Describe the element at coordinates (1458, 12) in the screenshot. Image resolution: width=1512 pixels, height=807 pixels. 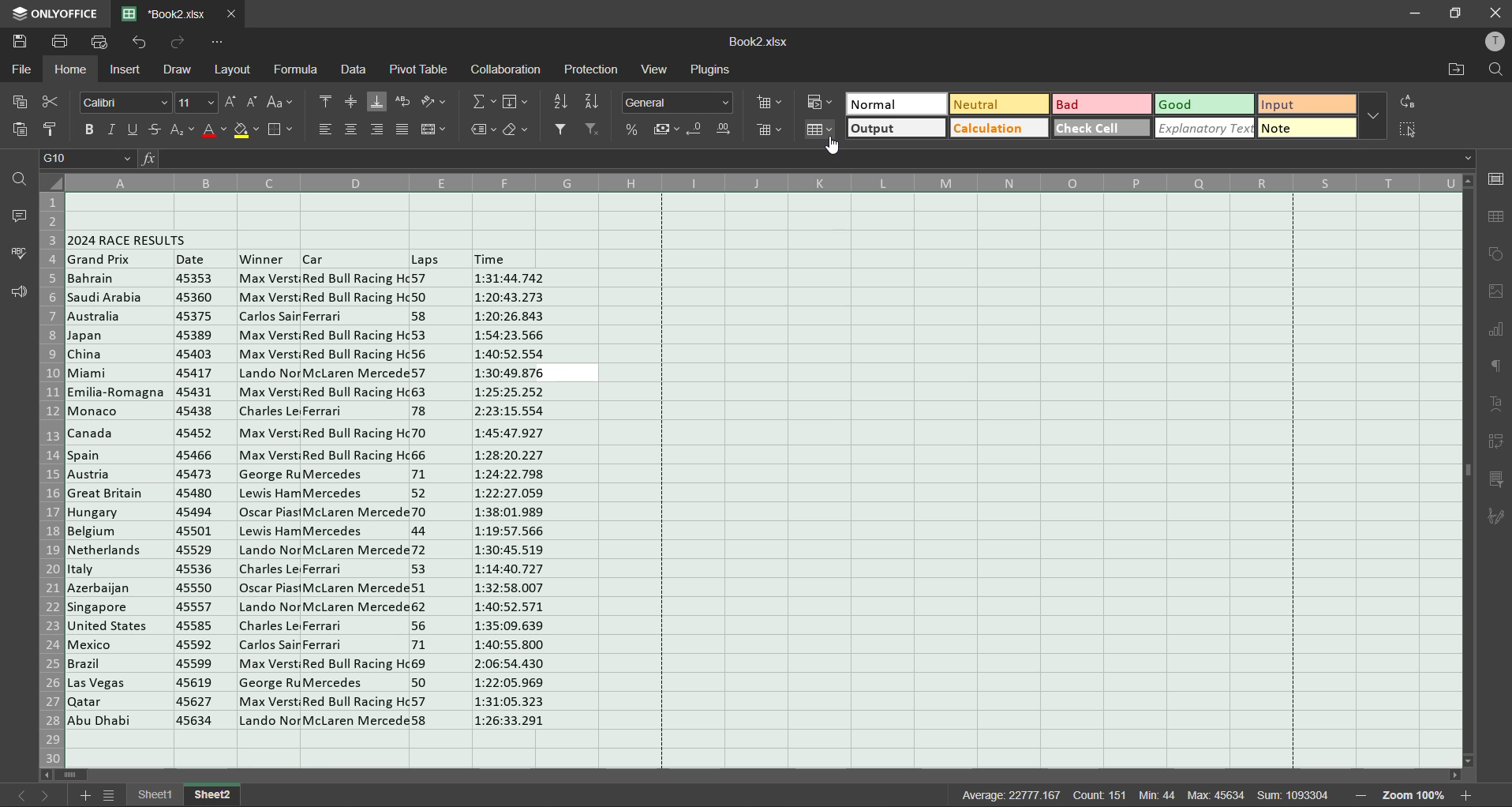
I see `maximize` at that location.